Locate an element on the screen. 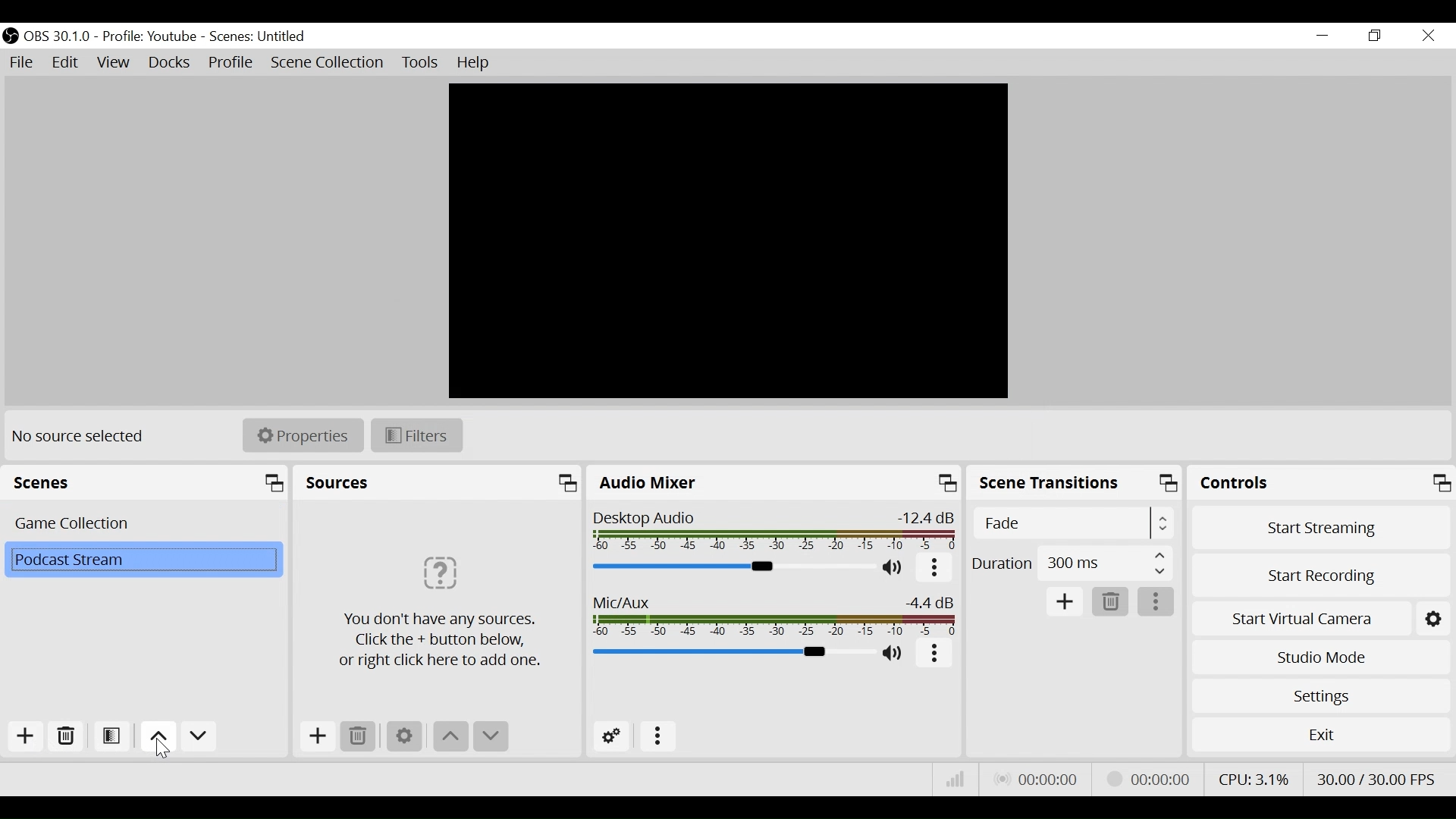 The width and height of the screenshot is (1456, 819). Start Recording is located at coordinates (1321, 573).